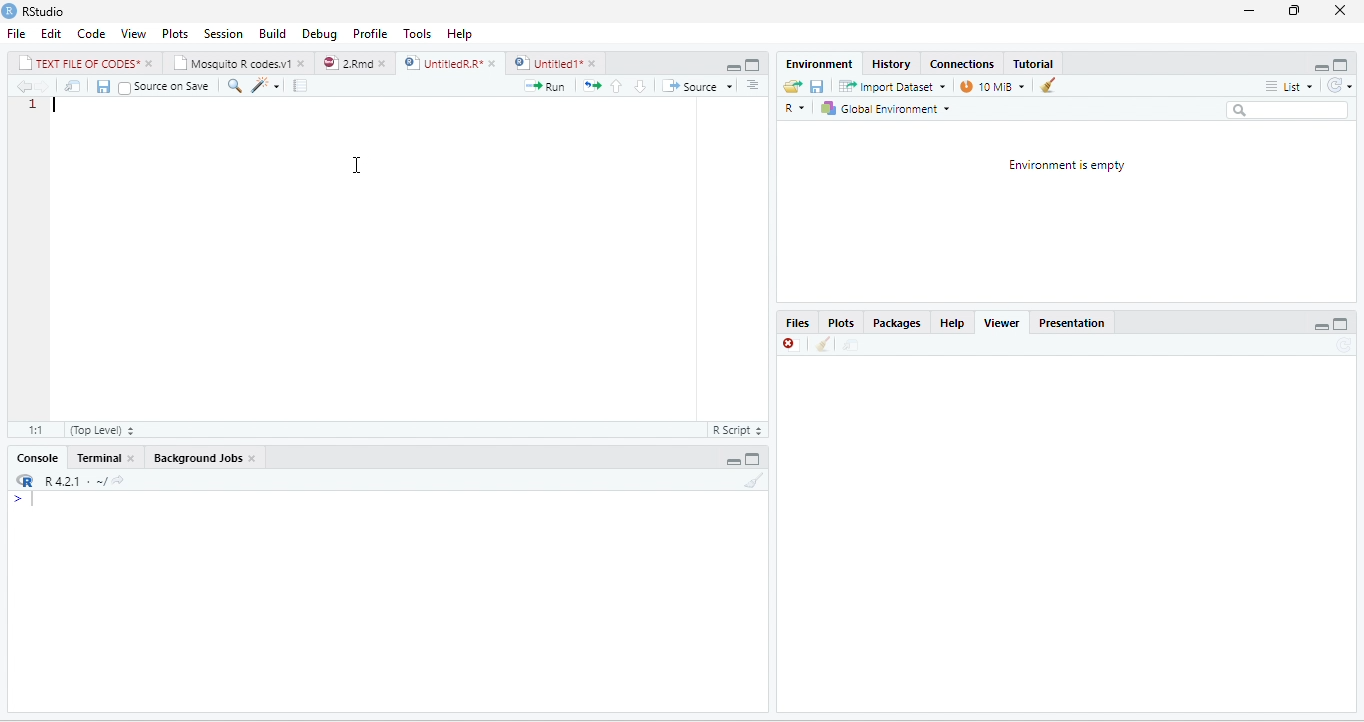 This screenshot has height=722, width=1364. I want to click on Packages, so click(899, 324).